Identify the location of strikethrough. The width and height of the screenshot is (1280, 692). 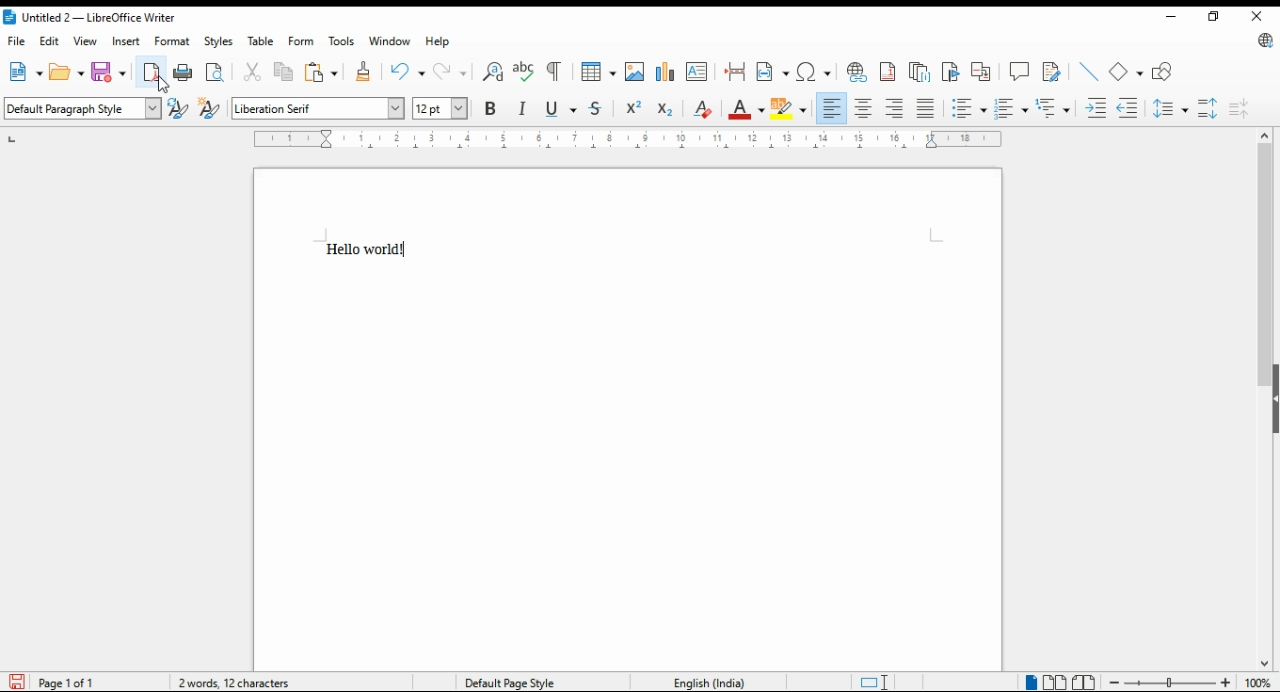
(597, 110).